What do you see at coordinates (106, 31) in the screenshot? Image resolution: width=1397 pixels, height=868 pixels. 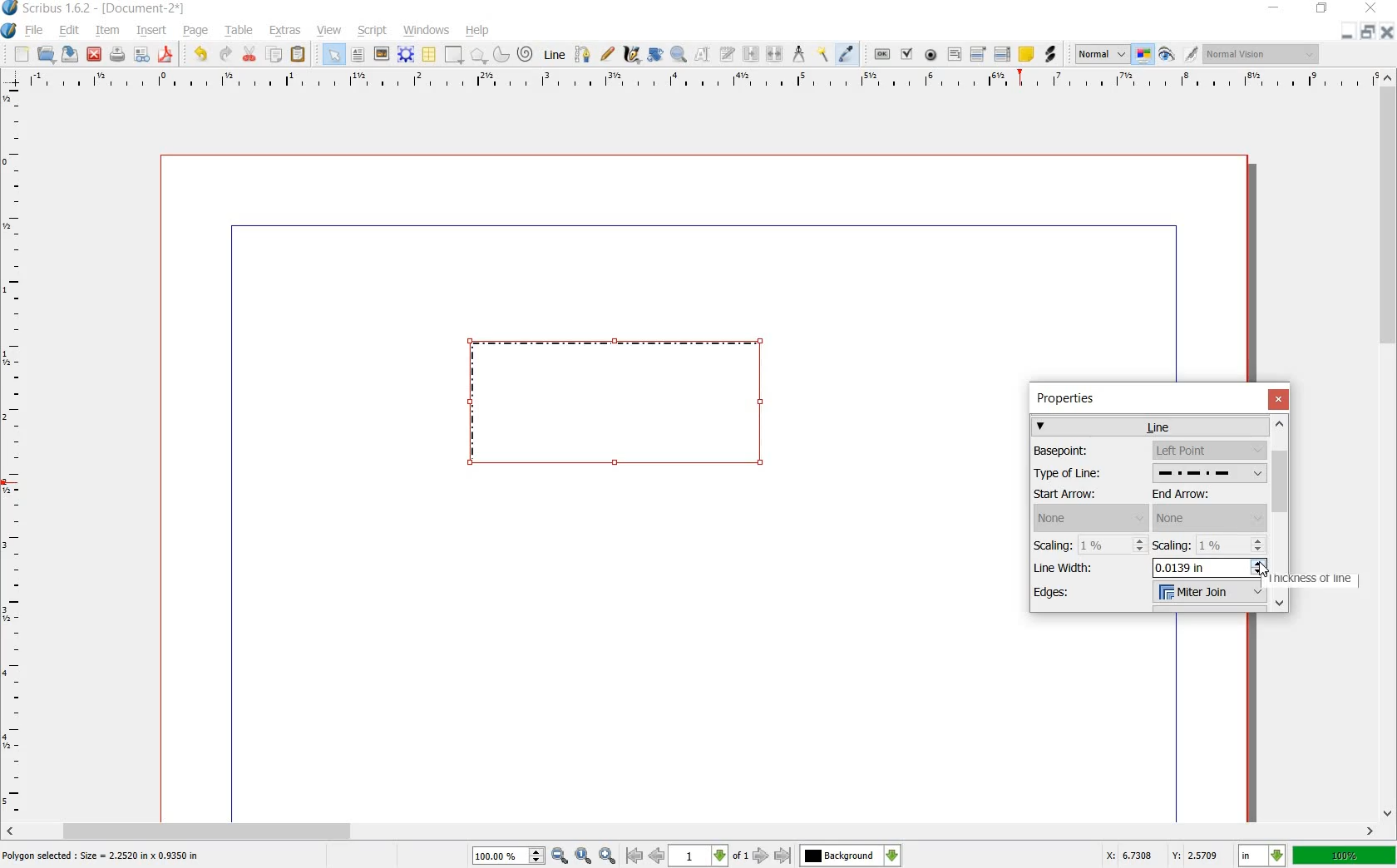 I see `ITEM` at bounding box center [106, 31].